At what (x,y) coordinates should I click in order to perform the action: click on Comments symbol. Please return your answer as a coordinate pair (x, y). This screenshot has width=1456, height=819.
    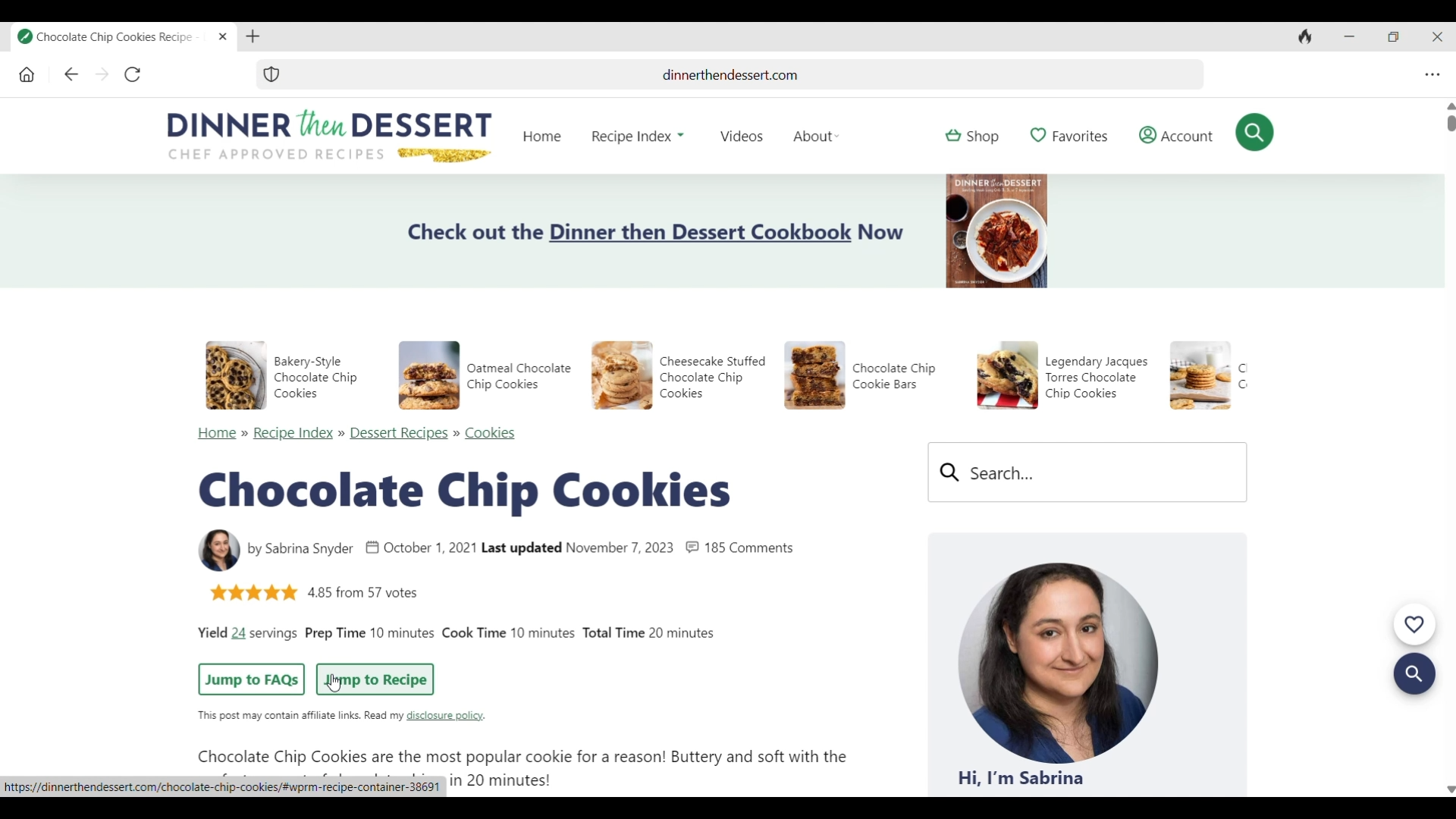
    Looking at the image, I should click on (692, 548).